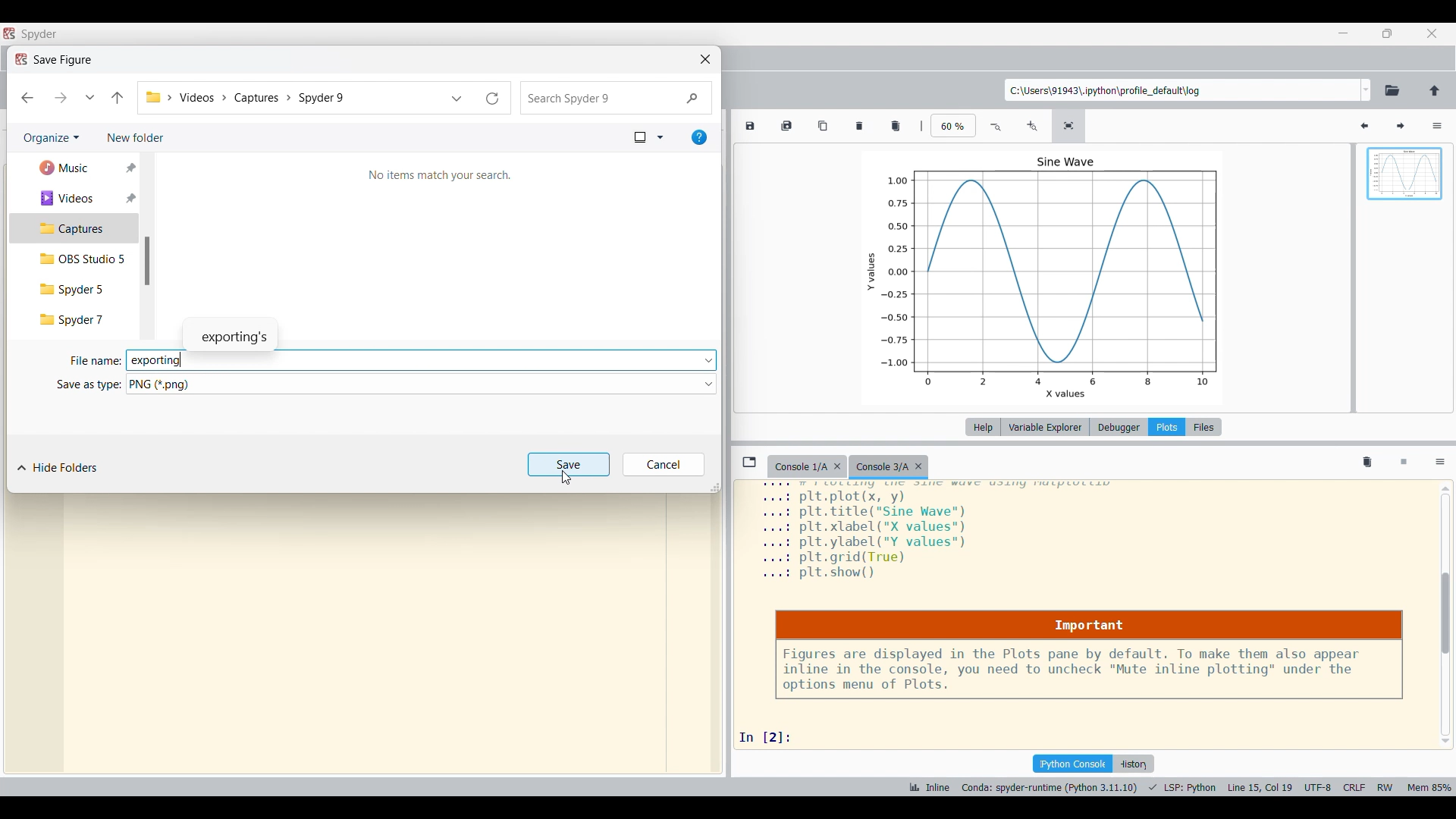 This screenshot has width=1456, height=819. I want to click on Remove all plots, so click(896, 126).